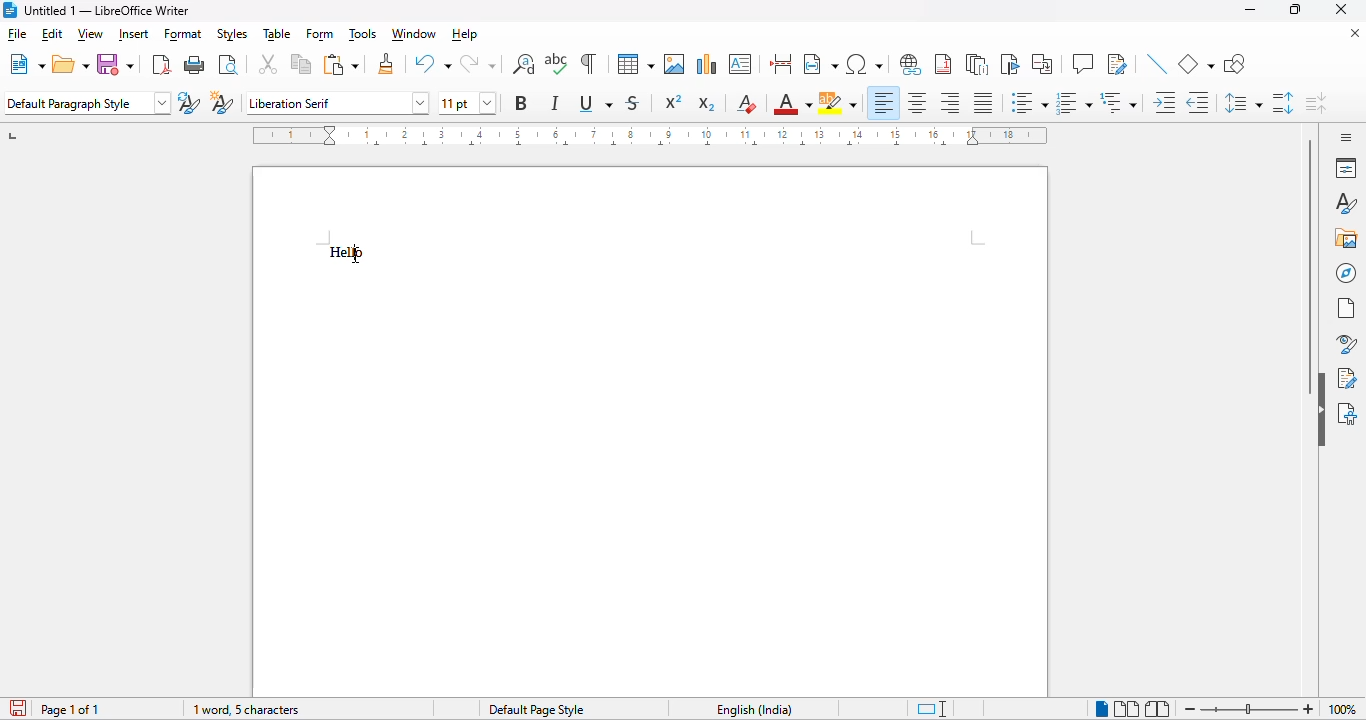  What do you see at coordinates (184, 34) in the screenshot?
I see `format` at bounding box center [184, 34].